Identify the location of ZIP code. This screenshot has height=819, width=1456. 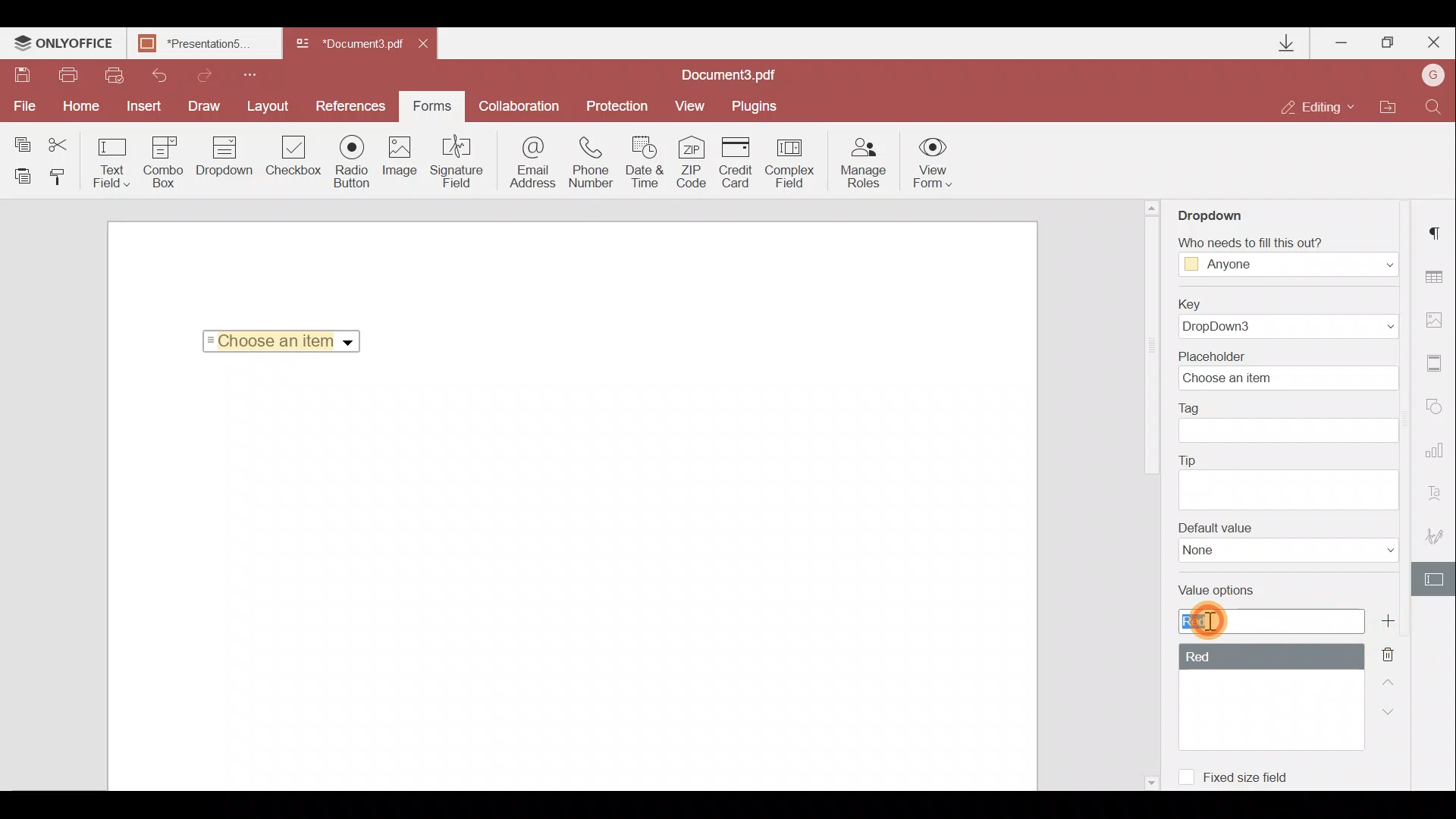
(695, 162).